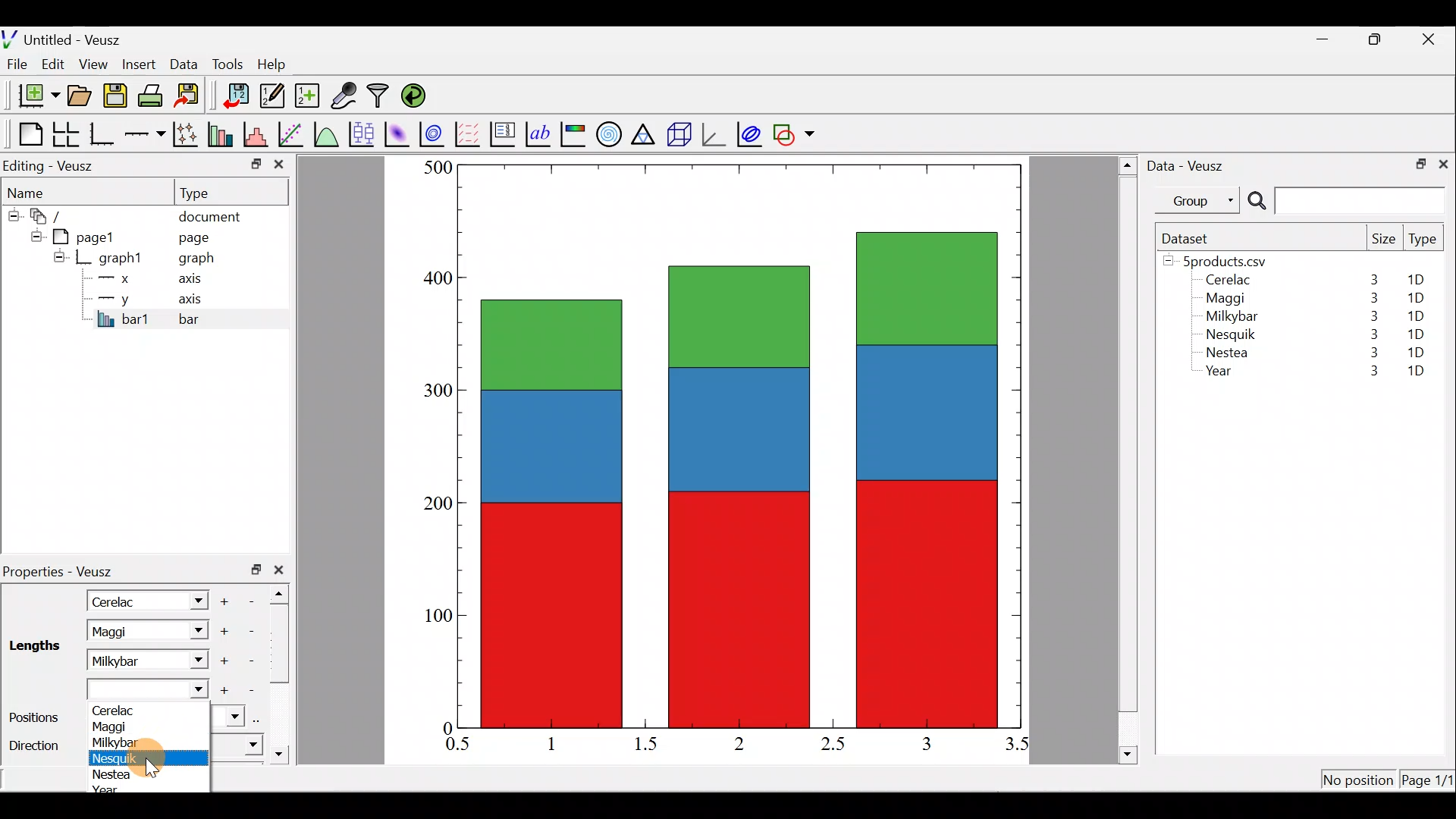 The width and height of the screenshot is (1456, 819). I want to click on Add another item, so click(226, 661).